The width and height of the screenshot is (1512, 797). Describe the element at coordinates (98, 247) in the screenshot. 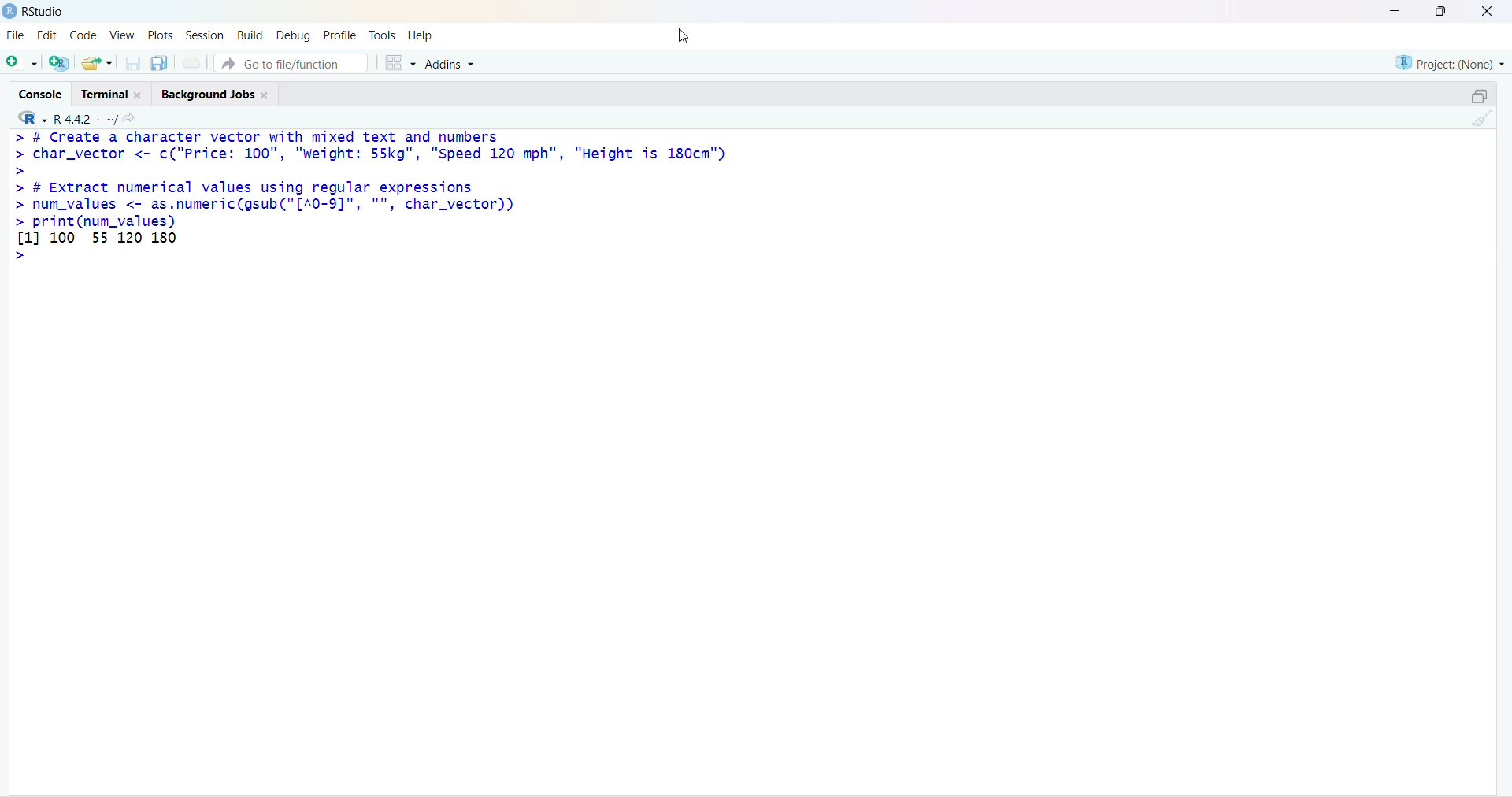

I see `[1] 100 55 120 180
>` at that location.